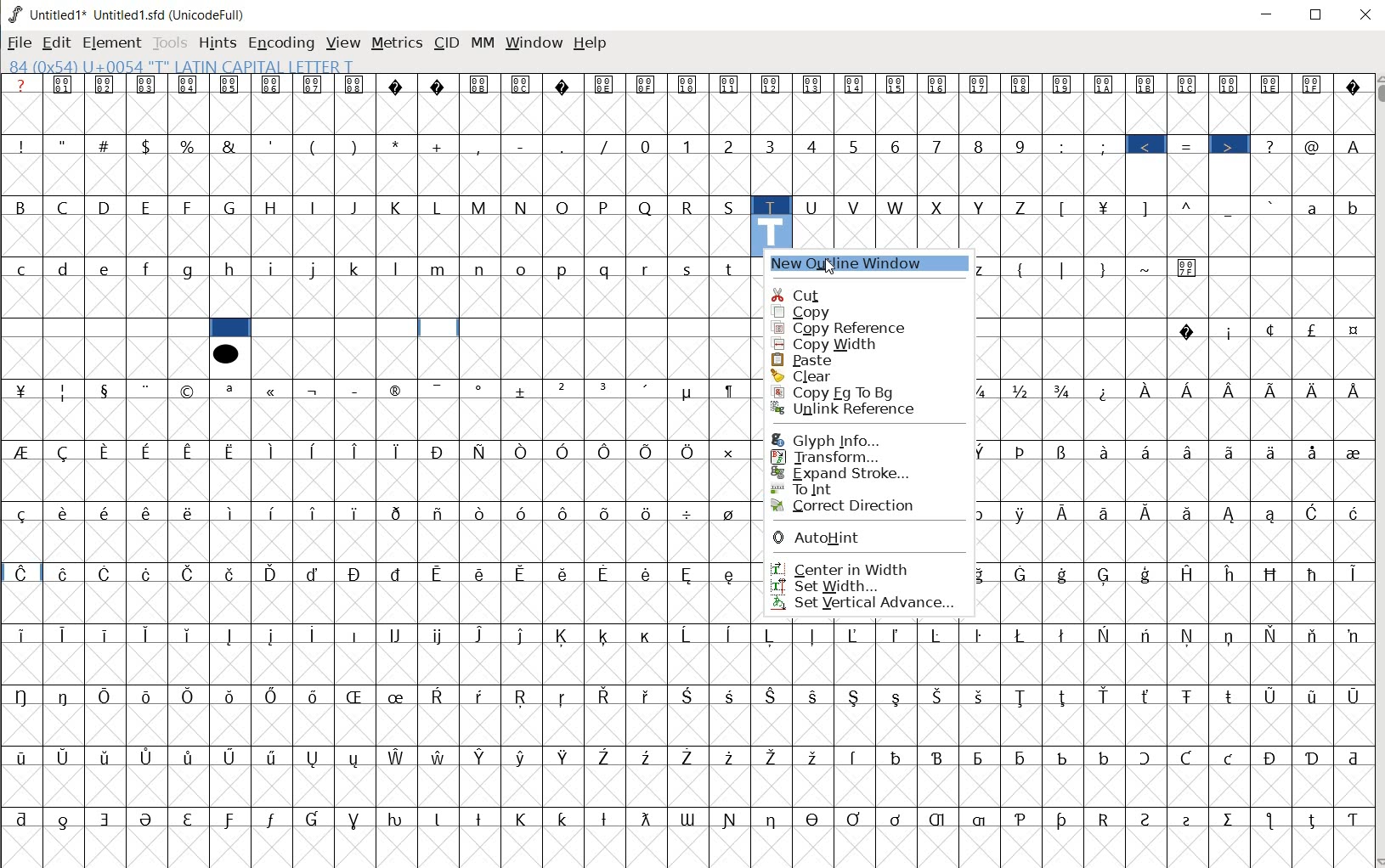 This screenshot has width=1385, height=868. I want to click on ;, so click(1105, 146).